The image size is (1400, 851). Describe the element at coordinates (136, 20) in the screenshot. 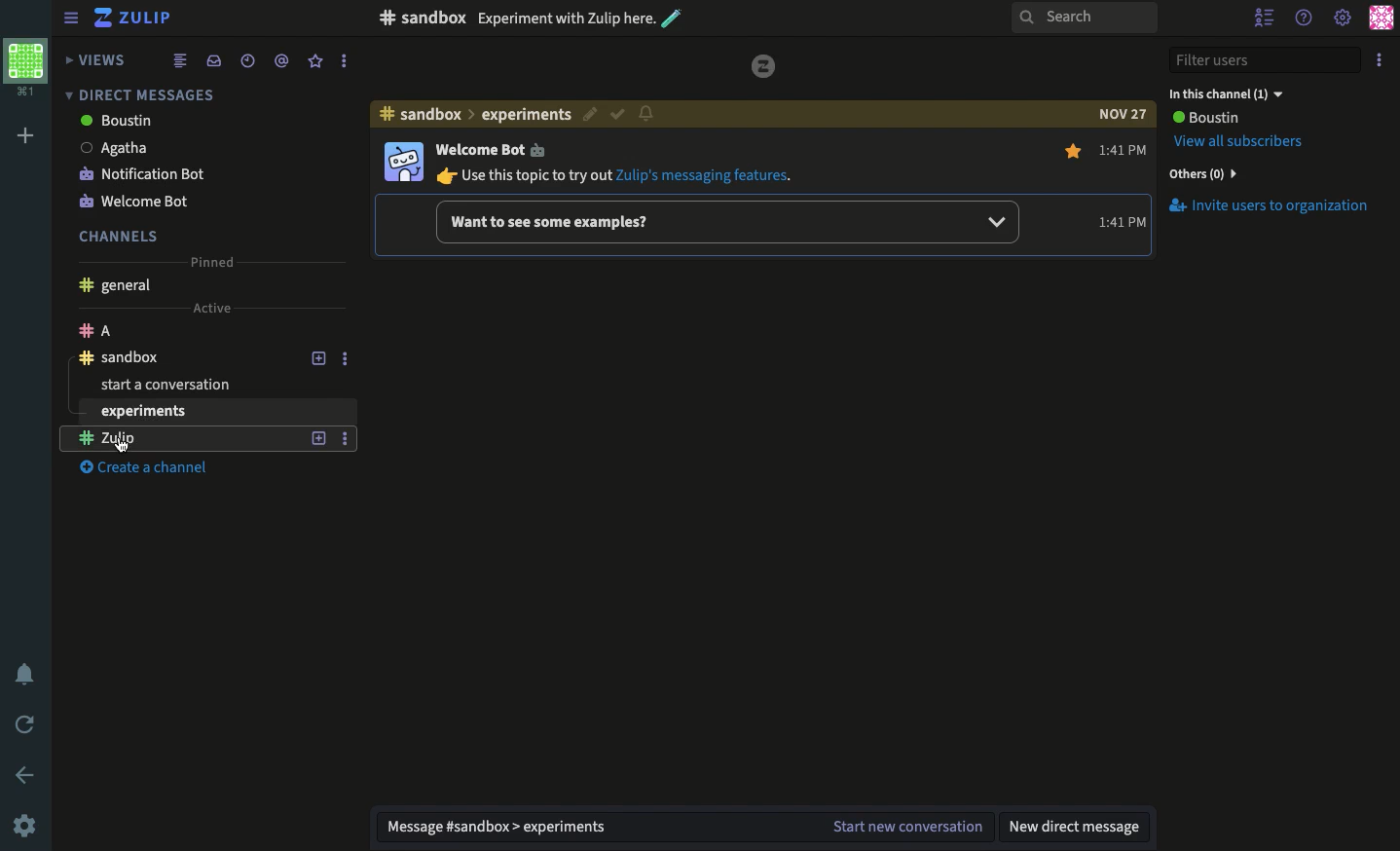

I see `Zulip` at that location.